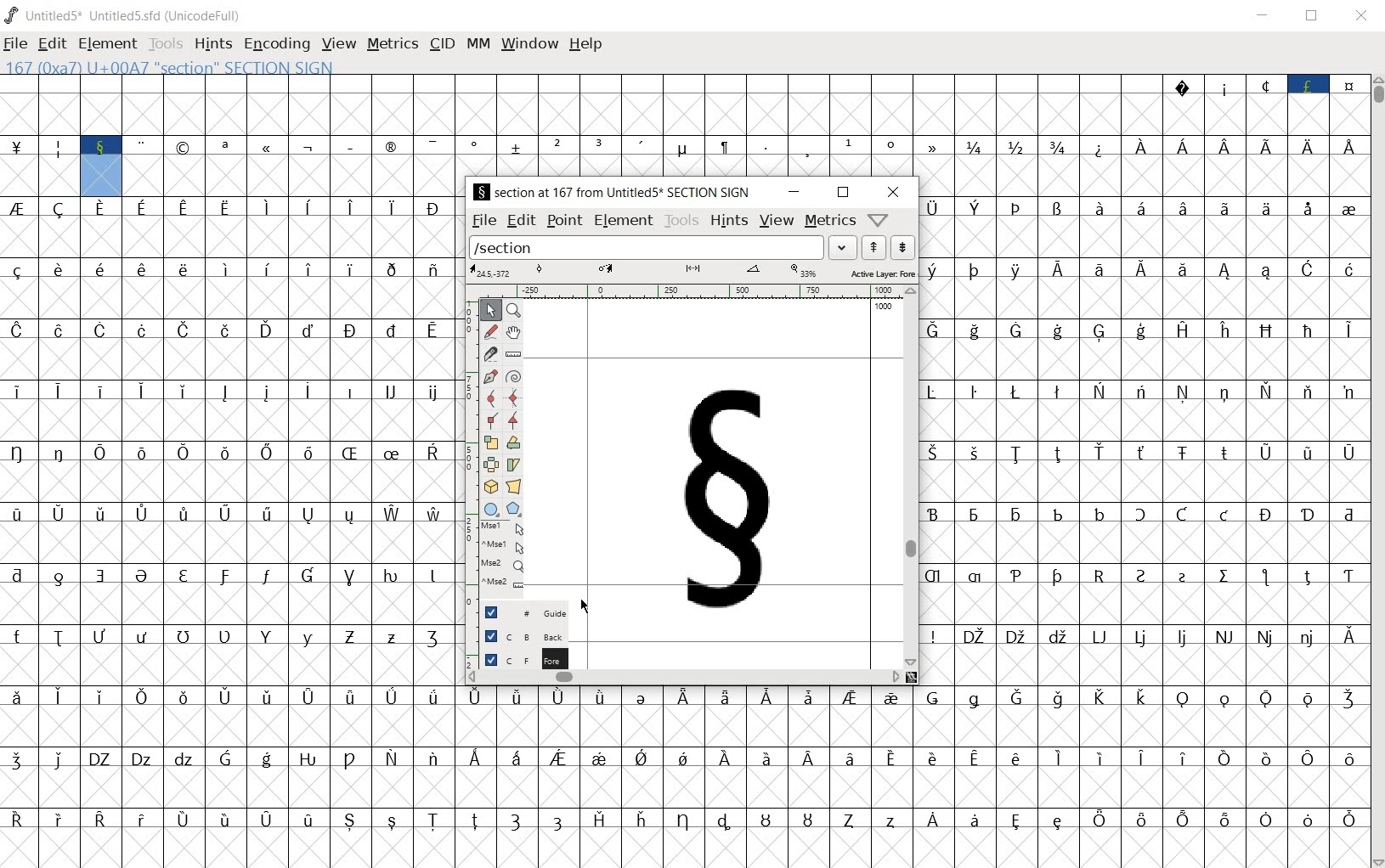  What do you see at coordinates (1100, 147) in the screenshot?
I see `special symbol` at bounding box center [1100, 147].